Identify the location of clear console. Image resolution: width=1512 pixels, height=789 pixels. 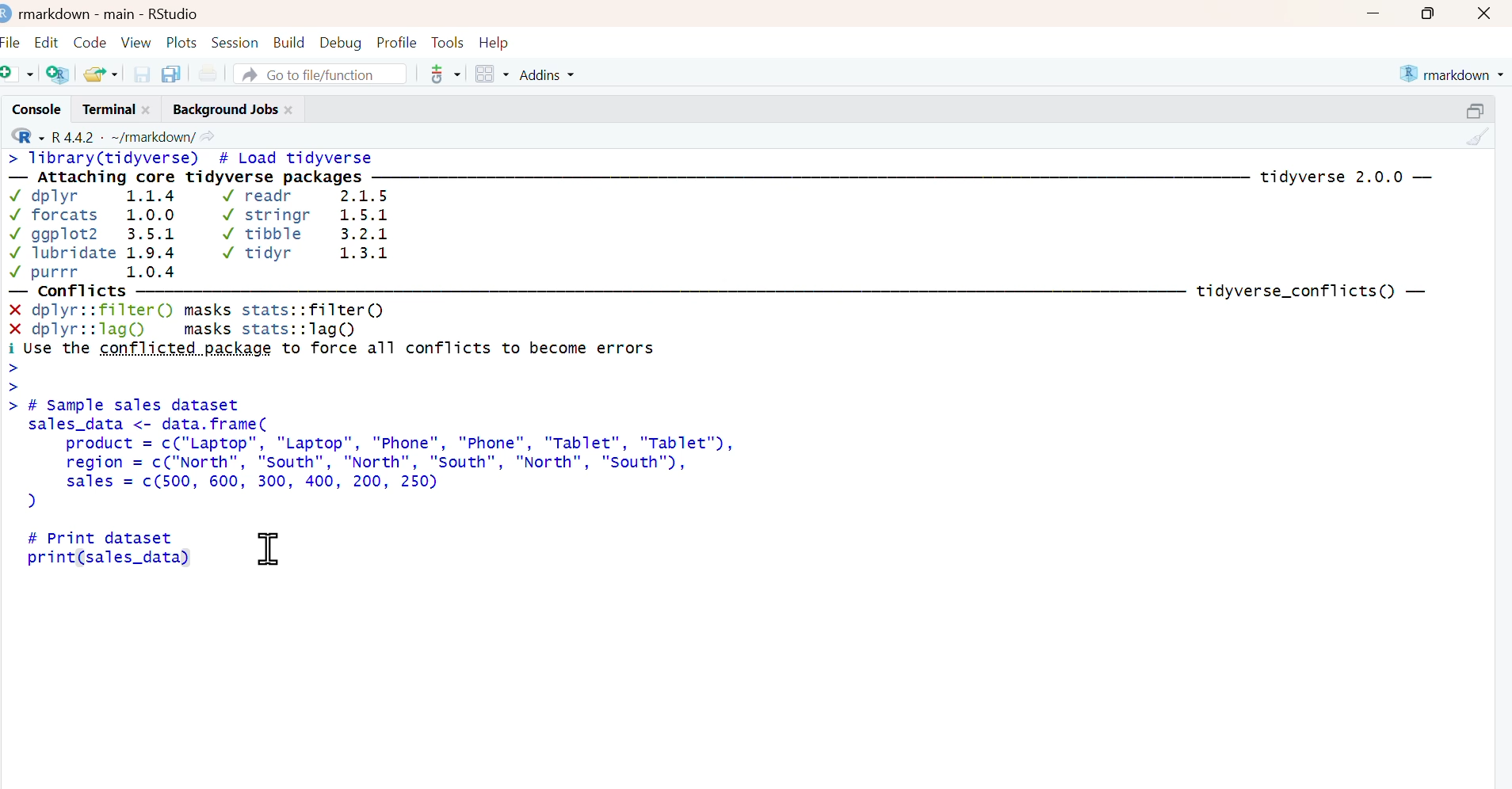
(1480, 135).